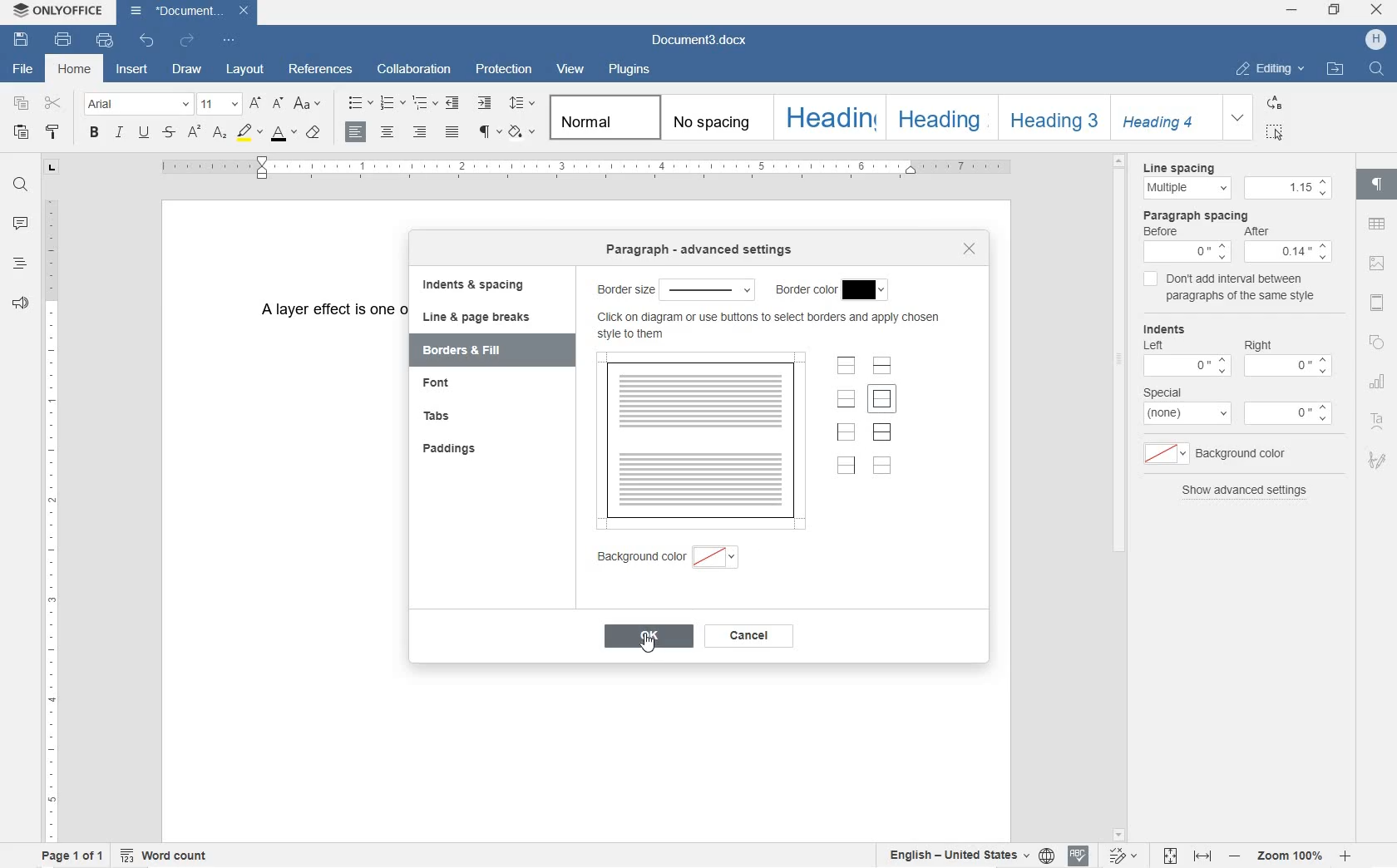 The height and width of the screenshot is (868, 1397). Describe the element at coordinates (1380, 460) in the screenshot. I see `SIGNATURE` at that location.